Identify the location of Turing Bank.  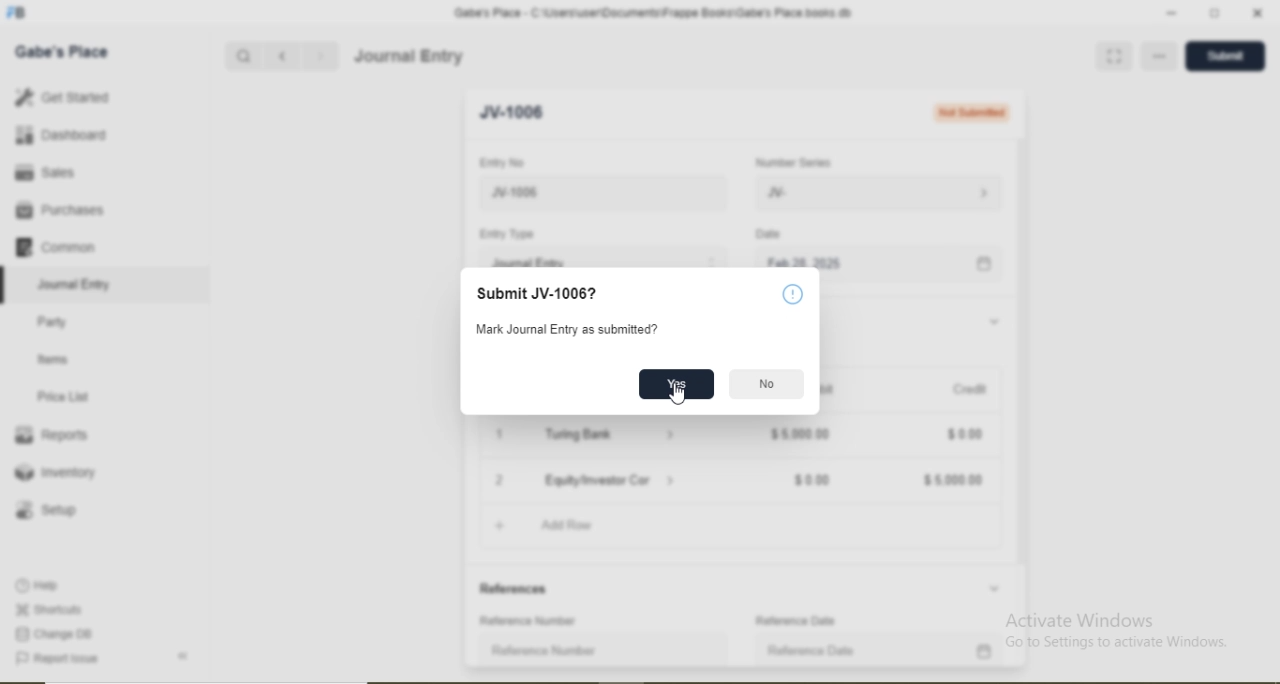
(582, 434).